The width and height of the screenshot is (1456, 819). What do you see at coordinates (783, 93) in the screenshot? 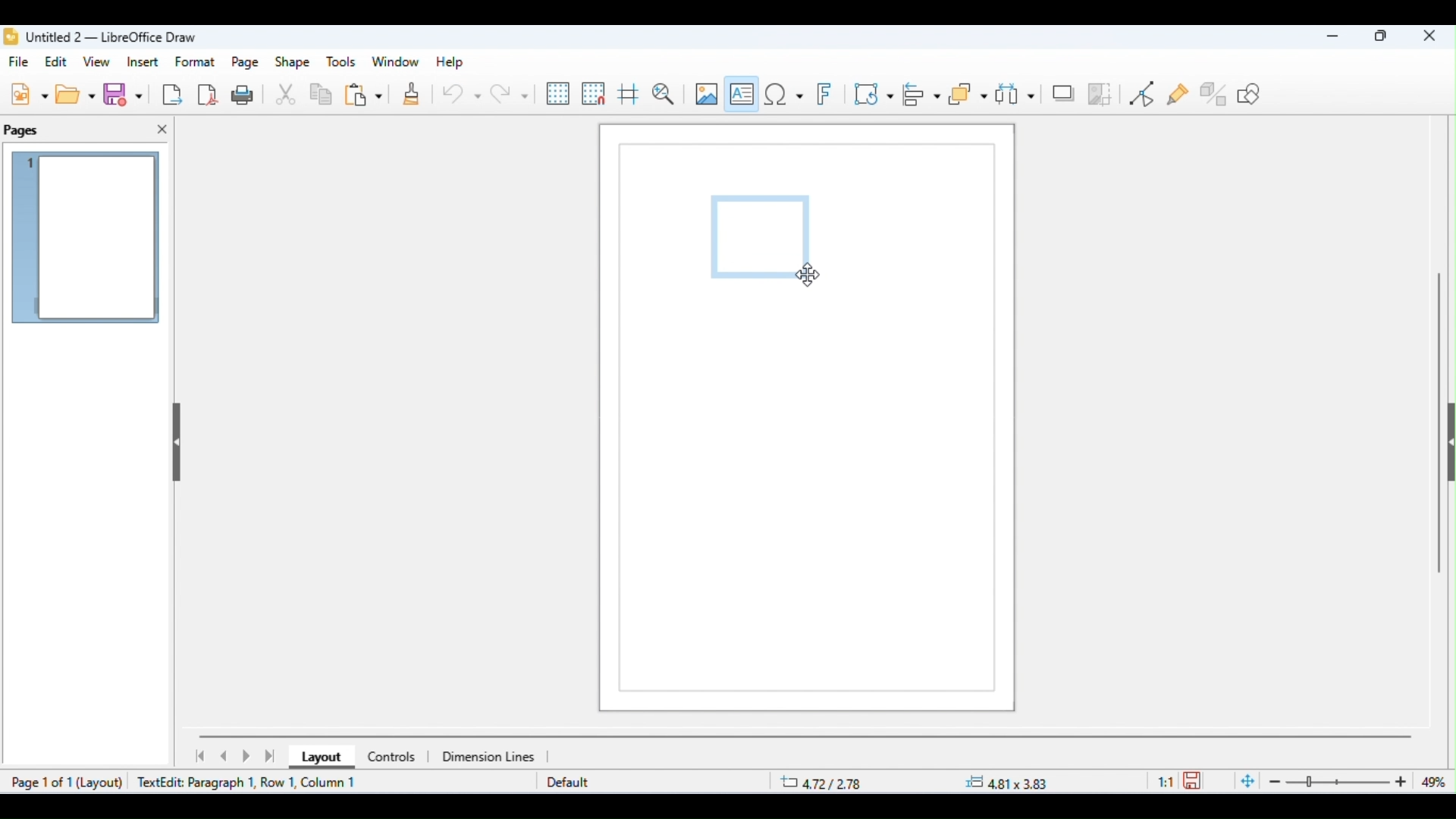
I see `insert special characters` at bounding box center [783, 93].